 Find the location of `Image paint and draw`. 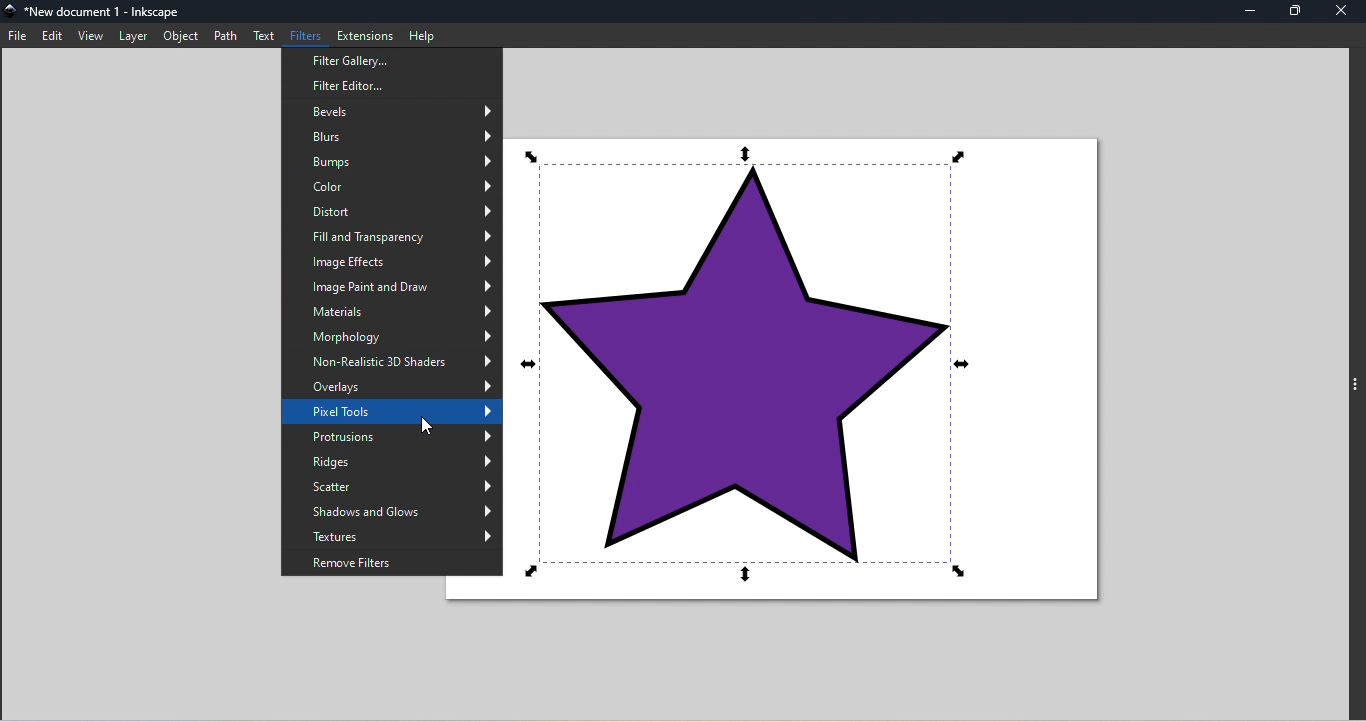

Image paint and draw is located at coordinates (391, 287).